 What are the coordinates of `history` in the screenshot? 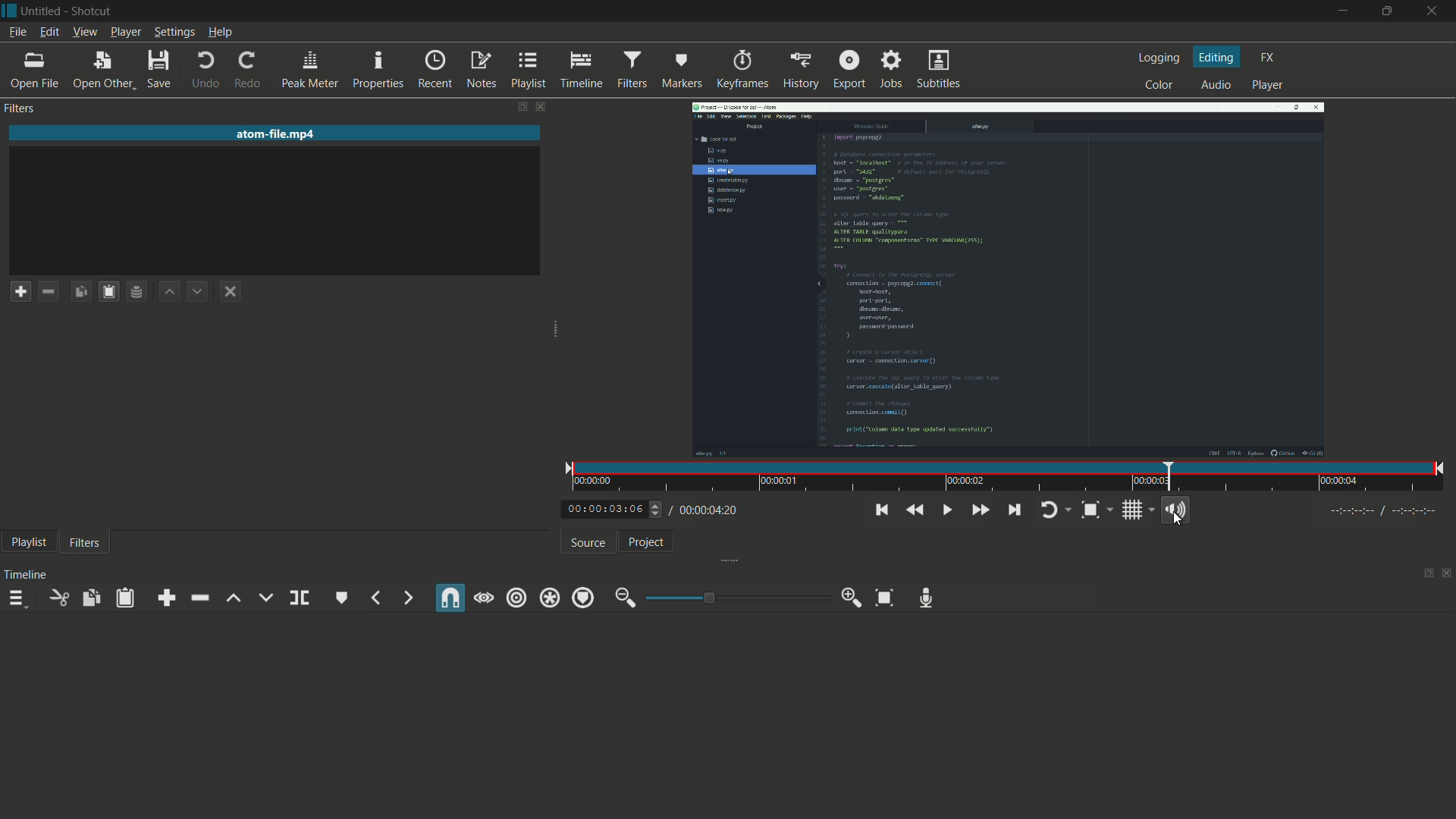 It's located at (800, 71).